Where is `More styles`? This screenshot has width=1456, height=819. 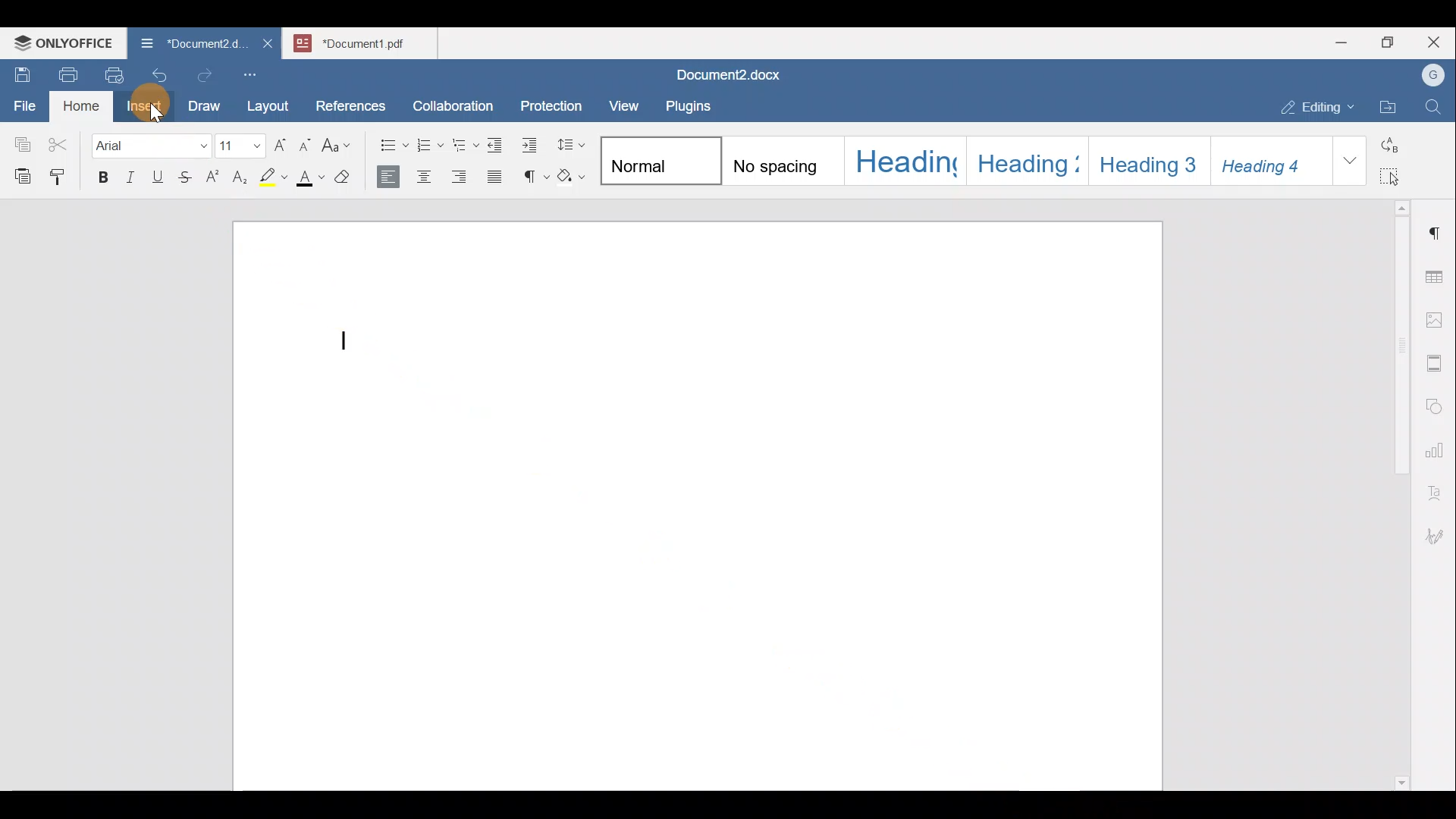
More styles is located at coordinates (1348, 160).